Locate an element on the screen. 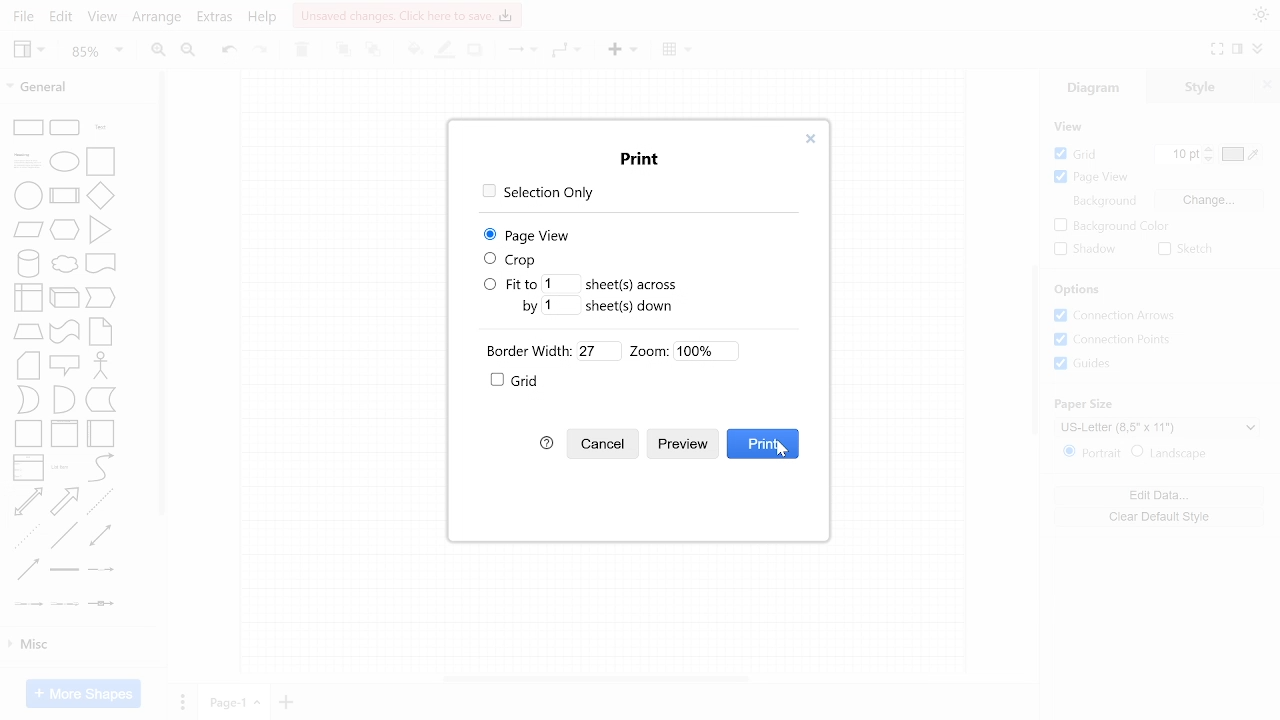 The height and width of the screenshot is (720, 1280). Delete is located at coordinates (302, 51).